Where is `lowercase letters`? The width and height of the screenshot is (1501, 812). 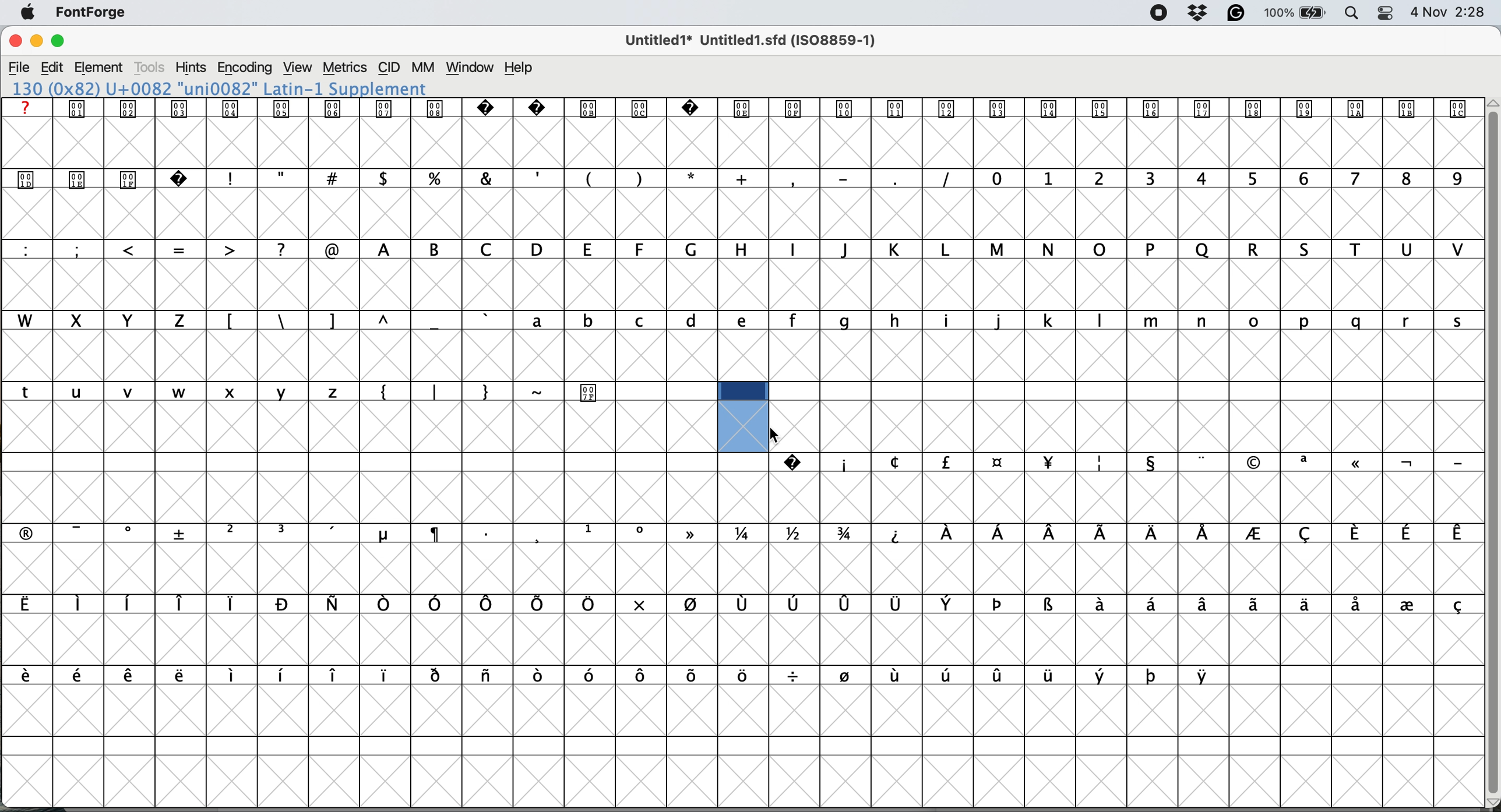
lowercase letters is located at coordinates (187, 392).